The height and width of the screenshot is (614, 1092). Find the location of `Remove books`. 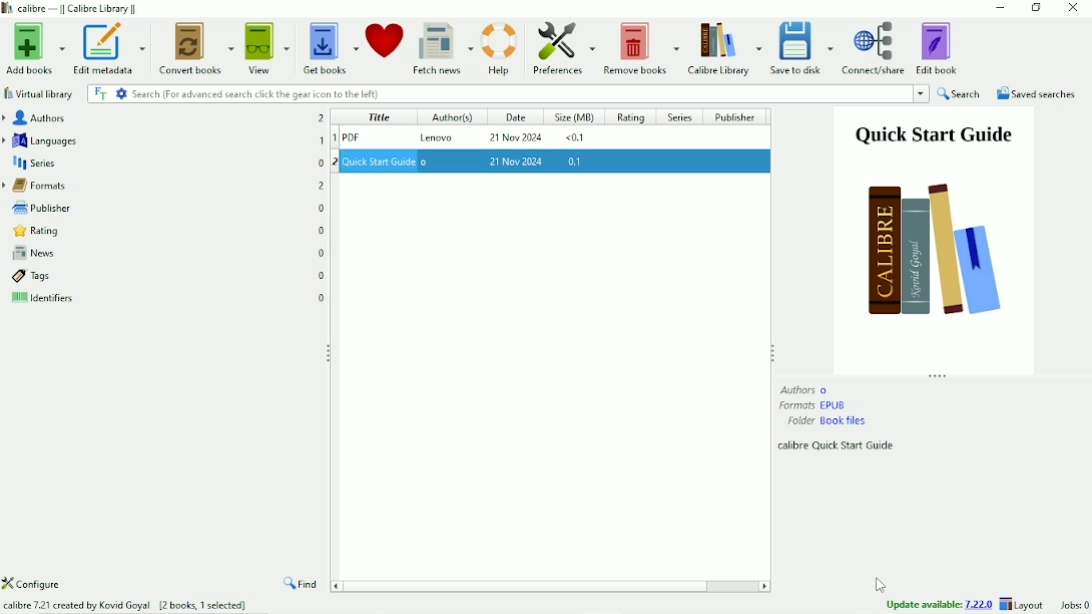

Remove books is located at coordinates (640, 47).